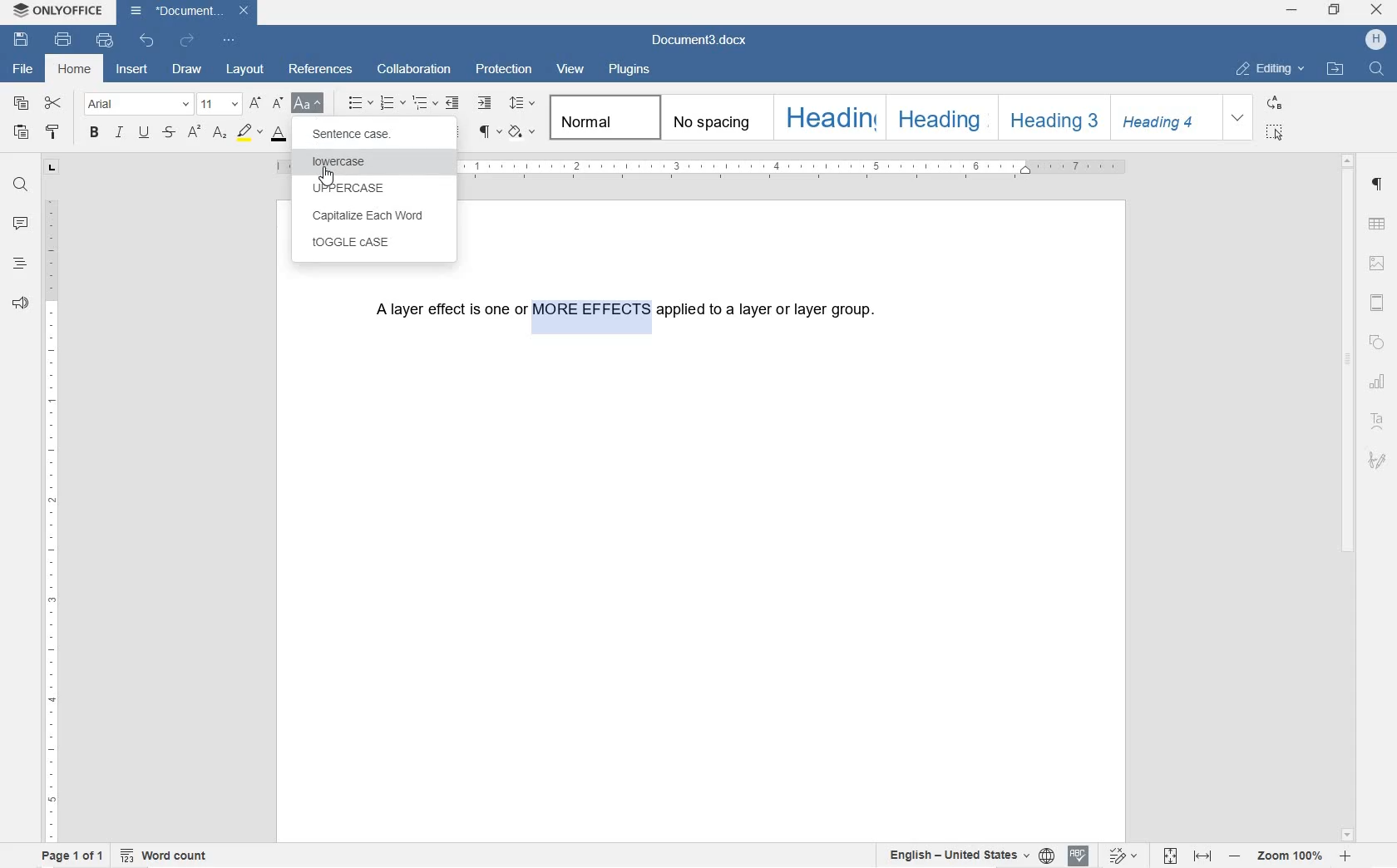 The width and height of the screenshot is (1397, 868). I want to click on SHAPE, so click(1378, 343).